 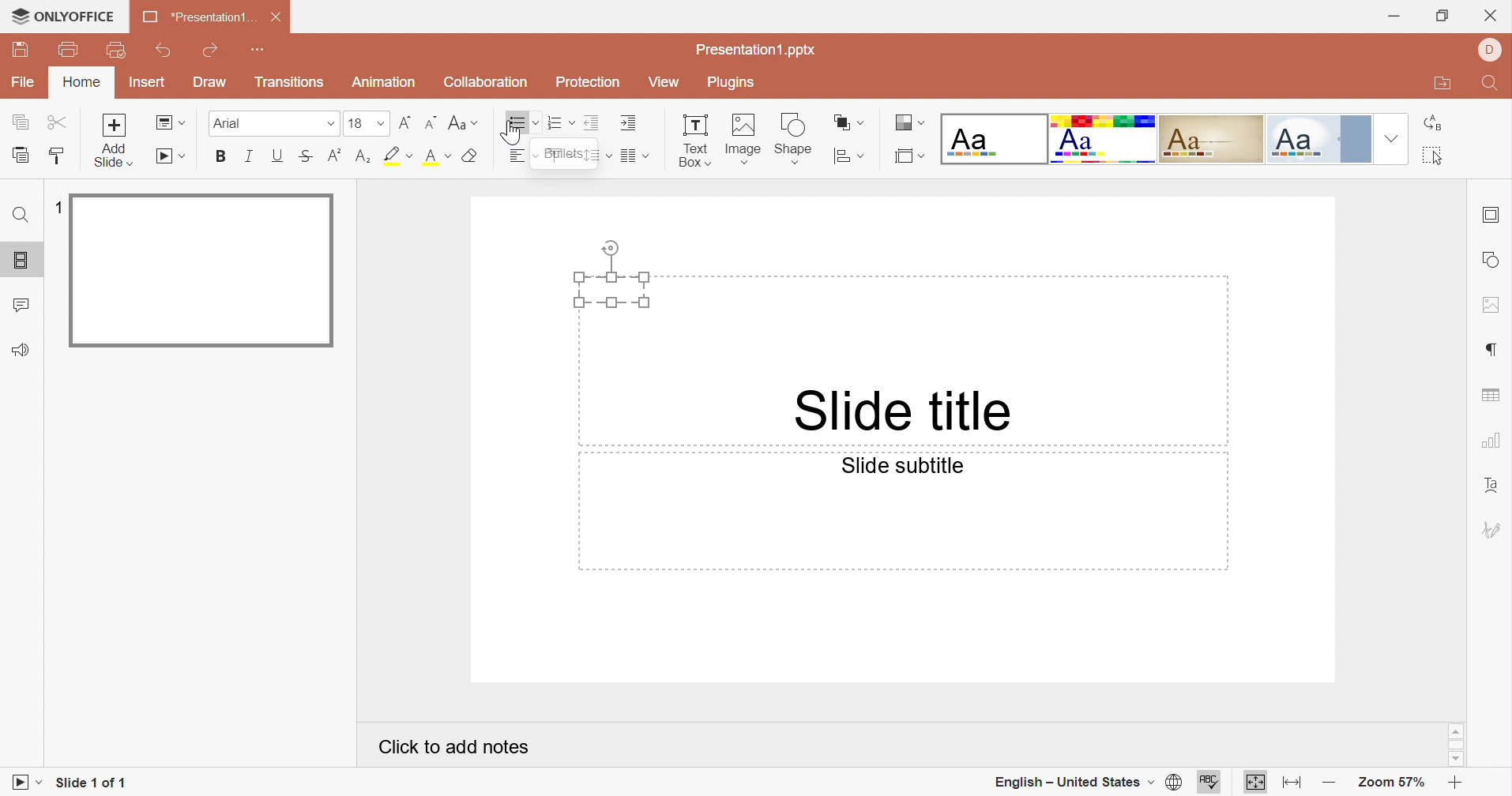 I want to click on Protection, so click(x=591, y=83).